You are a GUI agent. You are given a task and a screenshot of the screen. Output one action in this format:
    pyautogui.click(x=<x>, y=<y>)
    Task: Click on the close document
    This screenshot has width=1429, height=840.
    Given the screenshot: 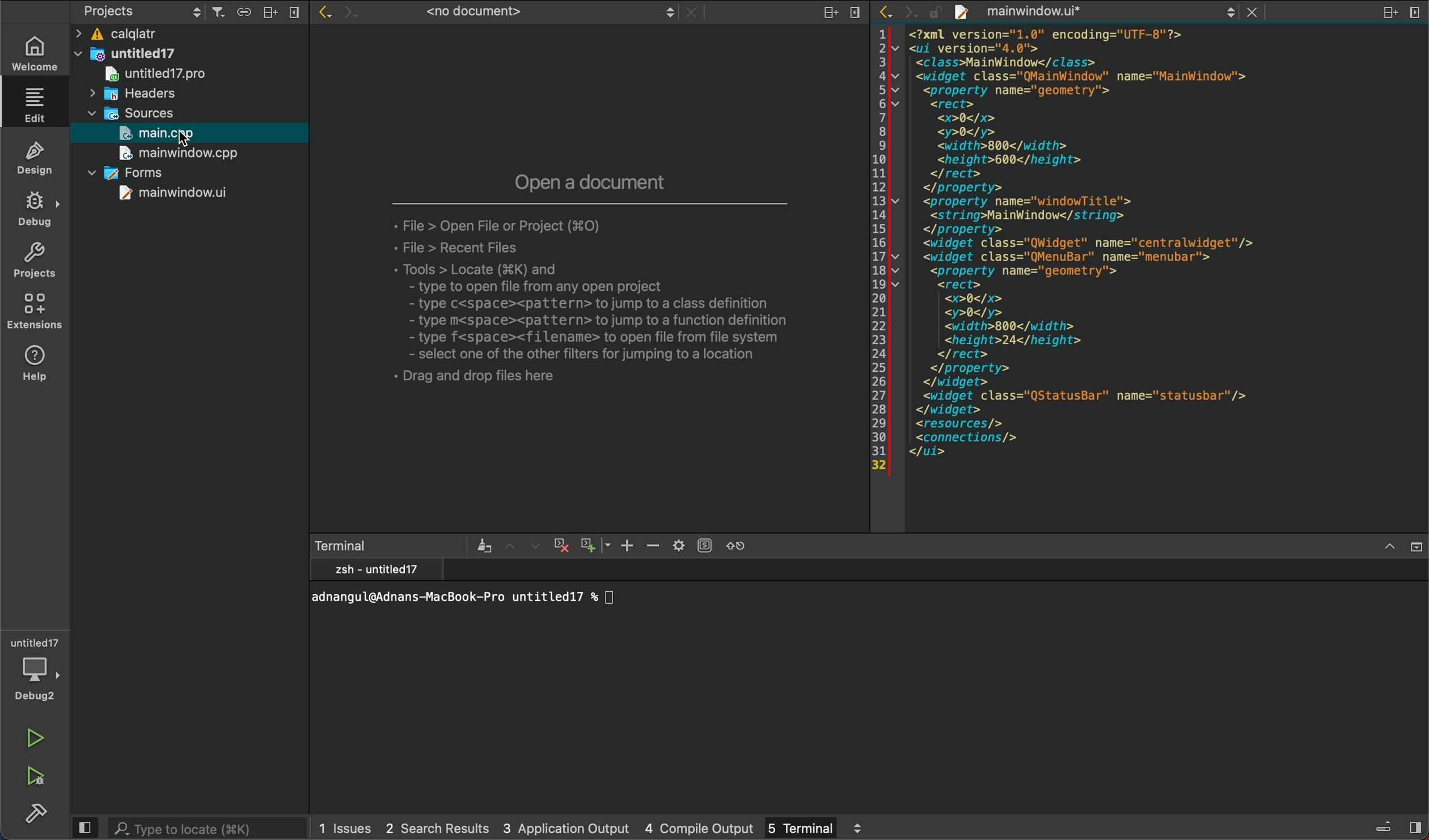 What is the action you would take?
    pyautogui.click(x=692, y=14)
    